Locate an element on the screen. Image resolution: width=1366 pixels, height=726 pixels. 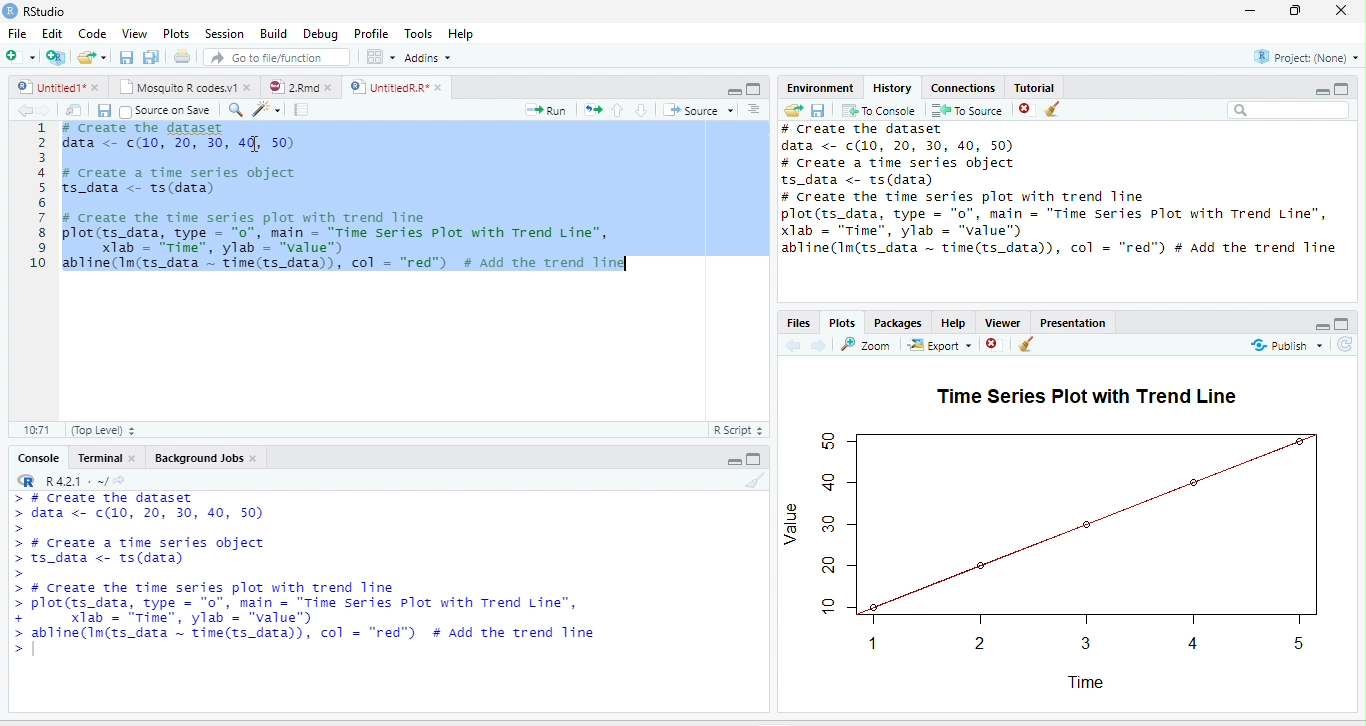
Zoom is located at coordinates (867, 344).